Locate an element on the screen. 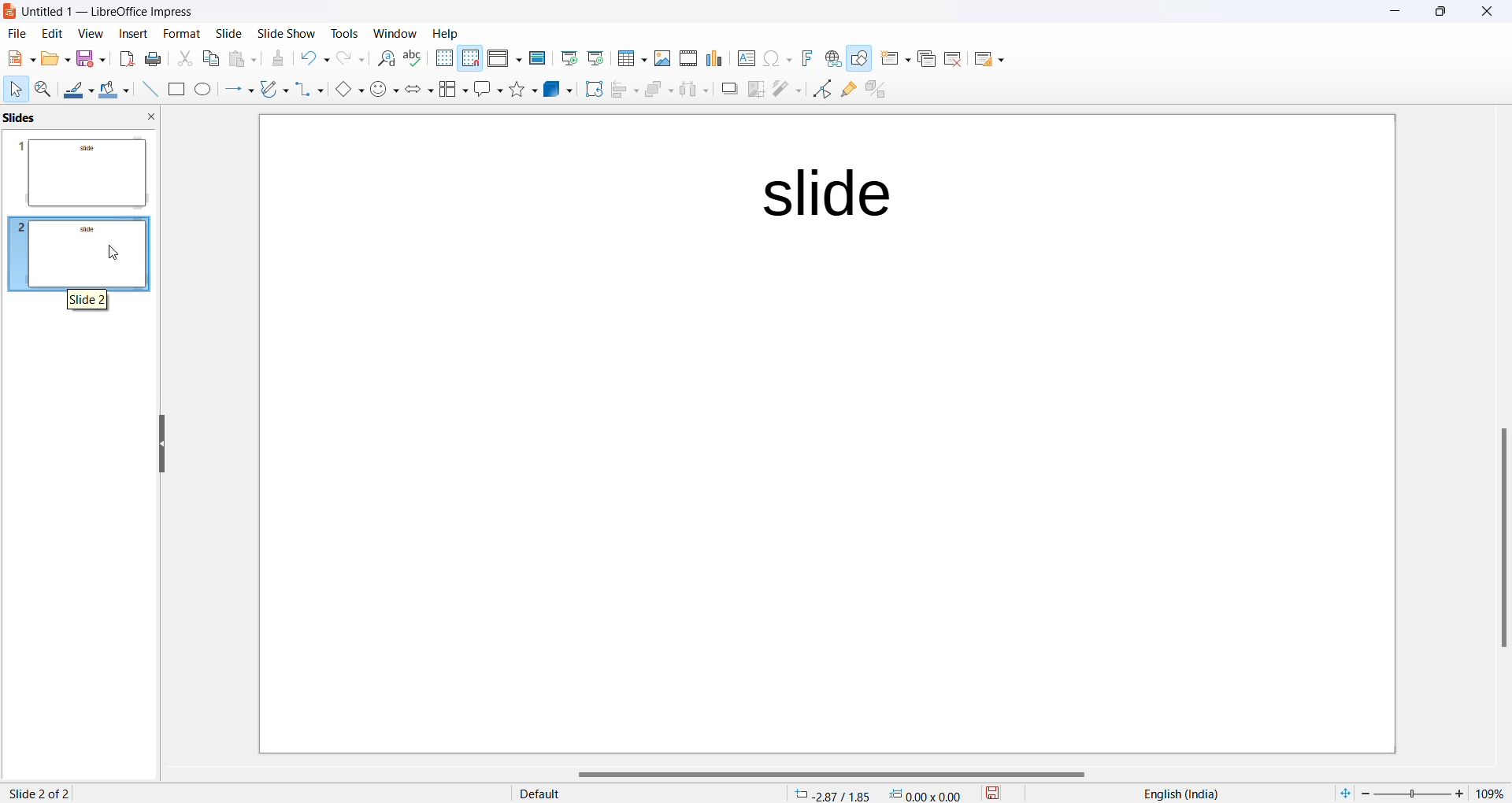 The image size is (1512, 803). Export as PDF is located at coordinates (124, 59).